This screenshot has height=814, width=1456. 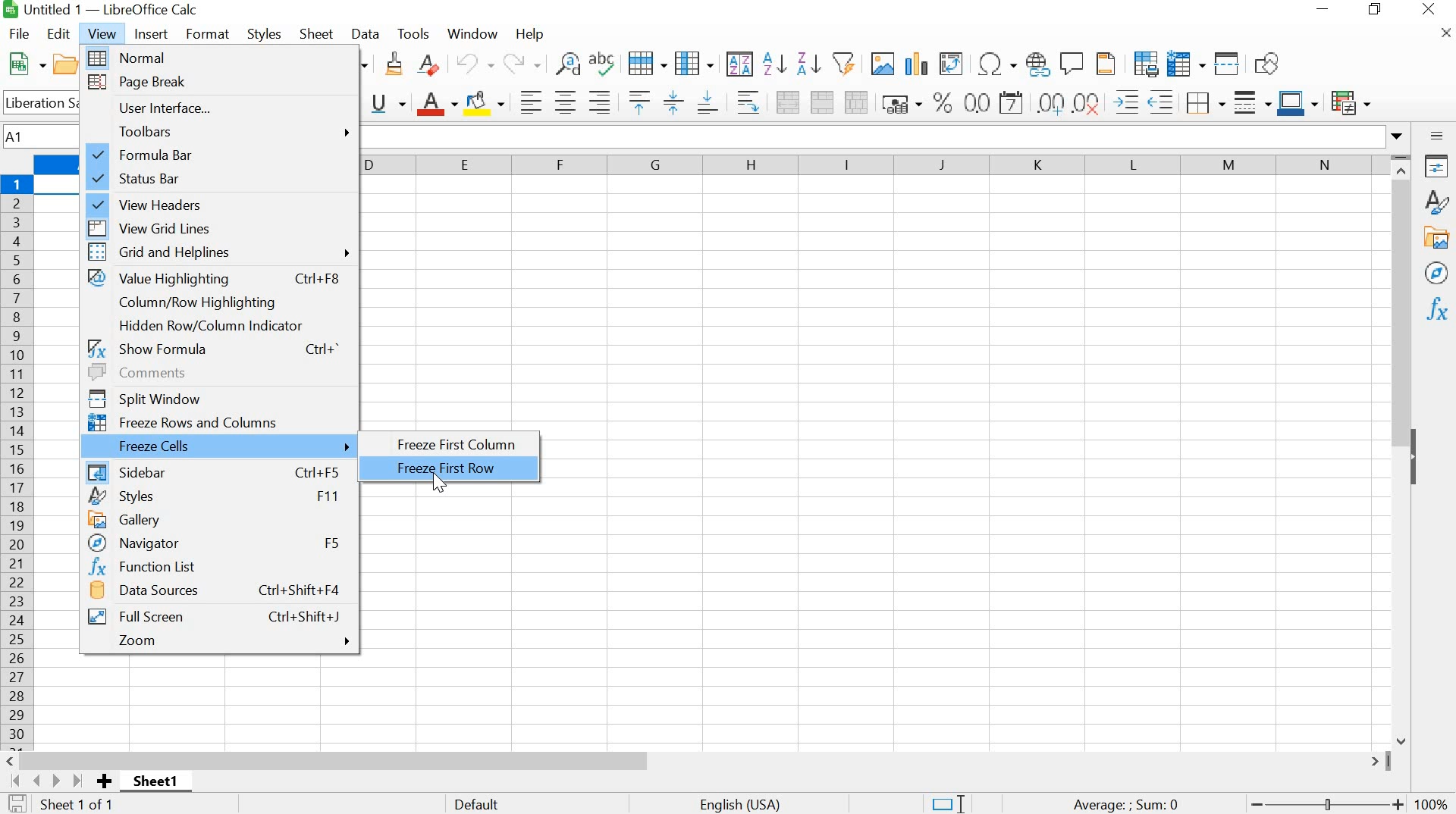 What do you see at coordinates (216, 543) in the screenshot?
I see `NAVIGATOR` at bounding box center [216, 543].